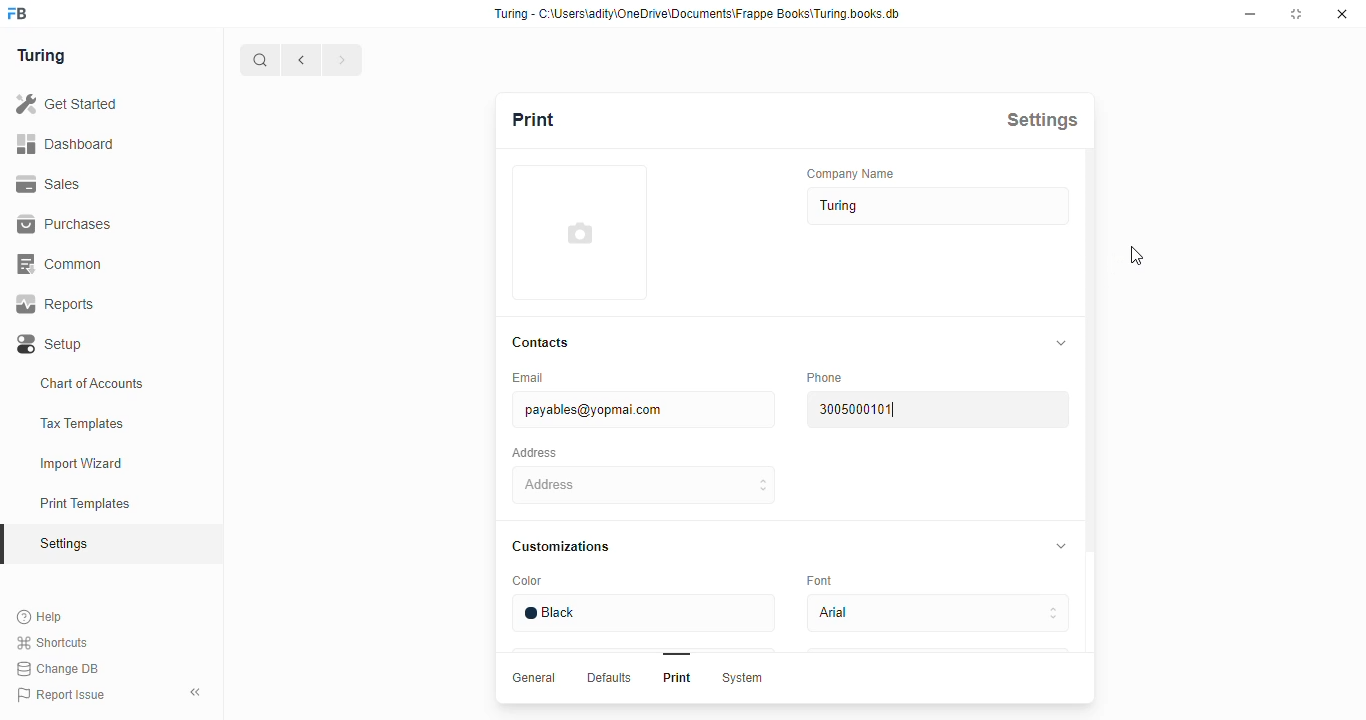 The width and height of the screenshot is (1366, 720). Describe the element at coordinates (1057, 546) in the screenshot. I see `collapse` at that location.